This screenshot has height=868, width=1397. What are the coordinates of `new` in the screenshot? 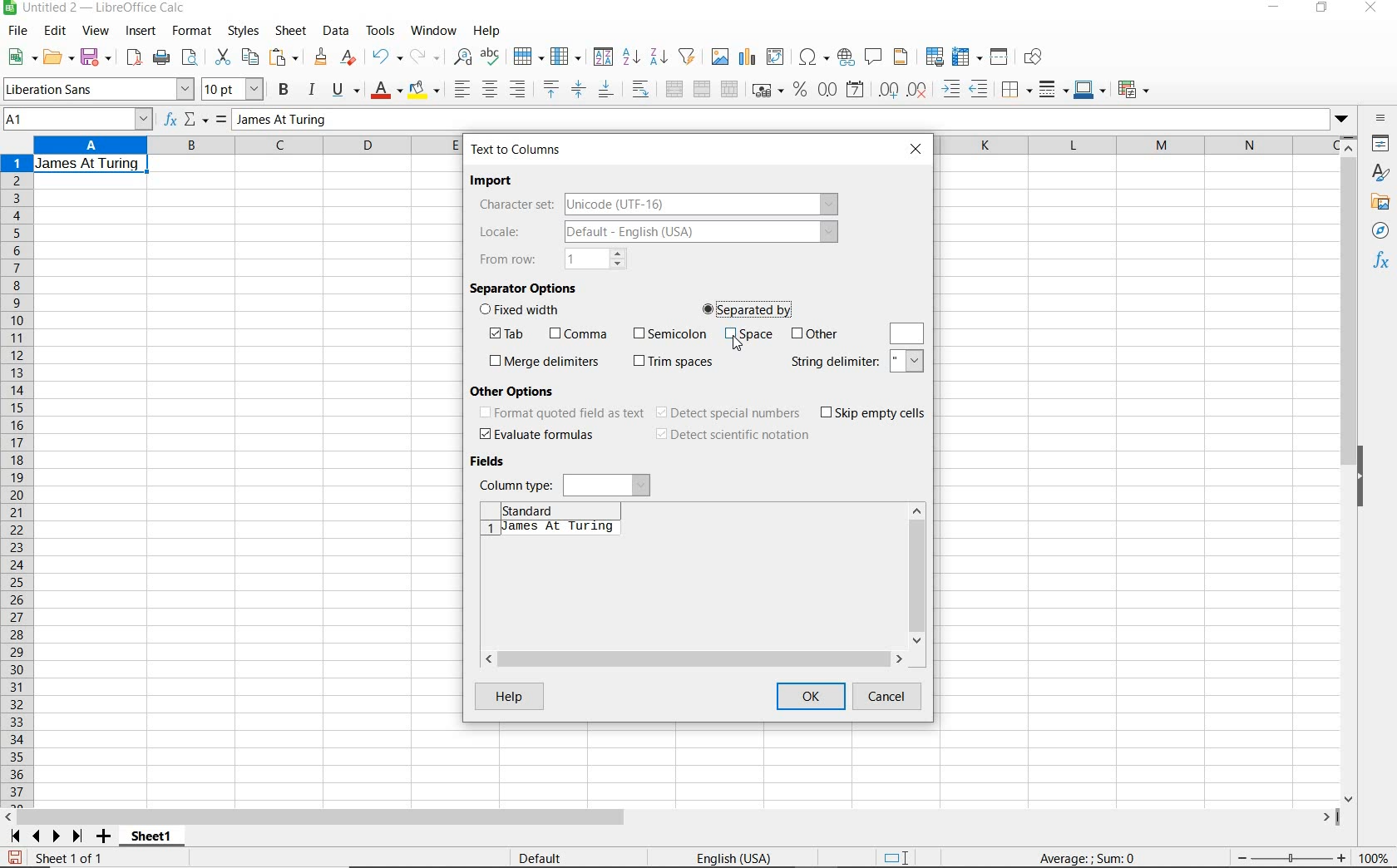 It's located at (21, 57).